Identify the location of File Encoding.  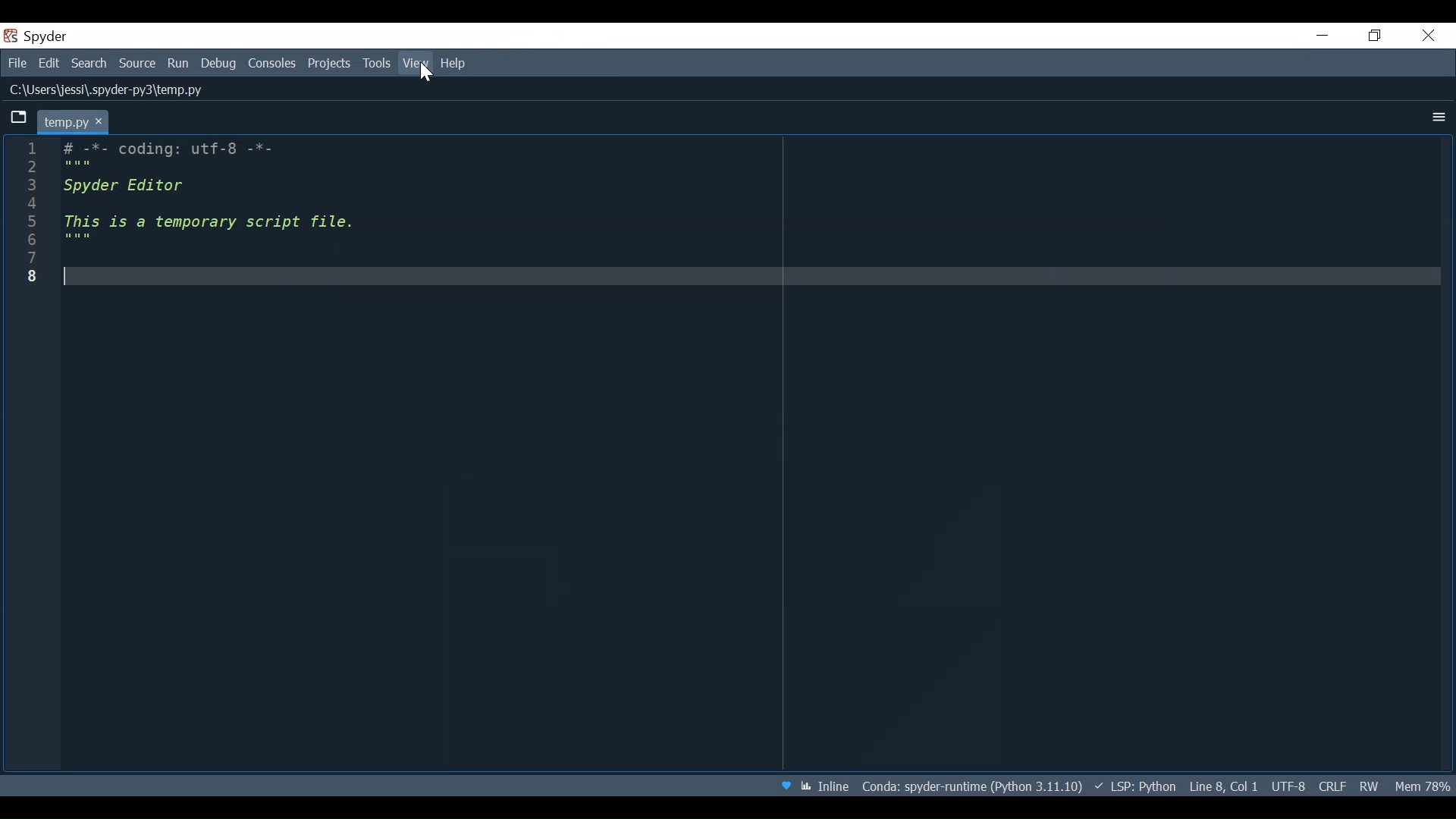
(1288, 786).